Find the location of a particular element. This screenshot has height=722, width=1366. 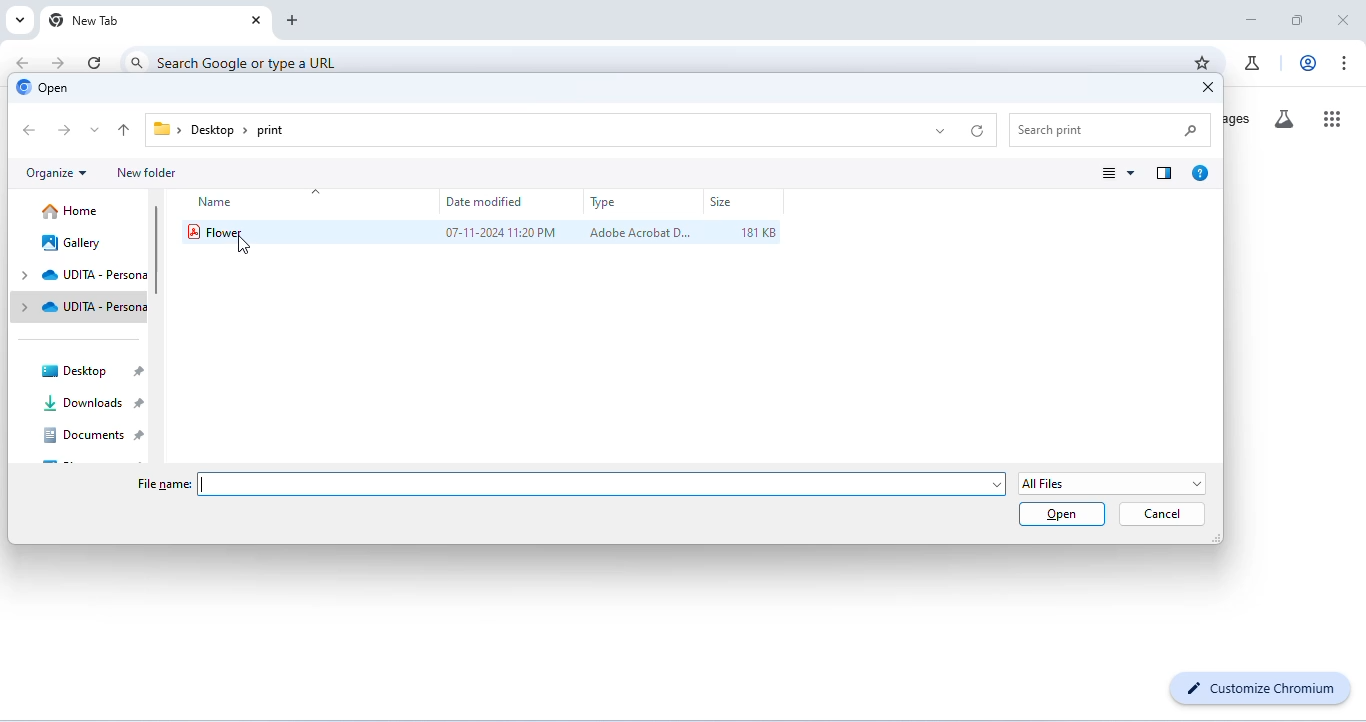

search labs is located at coordinates (1284, 120).